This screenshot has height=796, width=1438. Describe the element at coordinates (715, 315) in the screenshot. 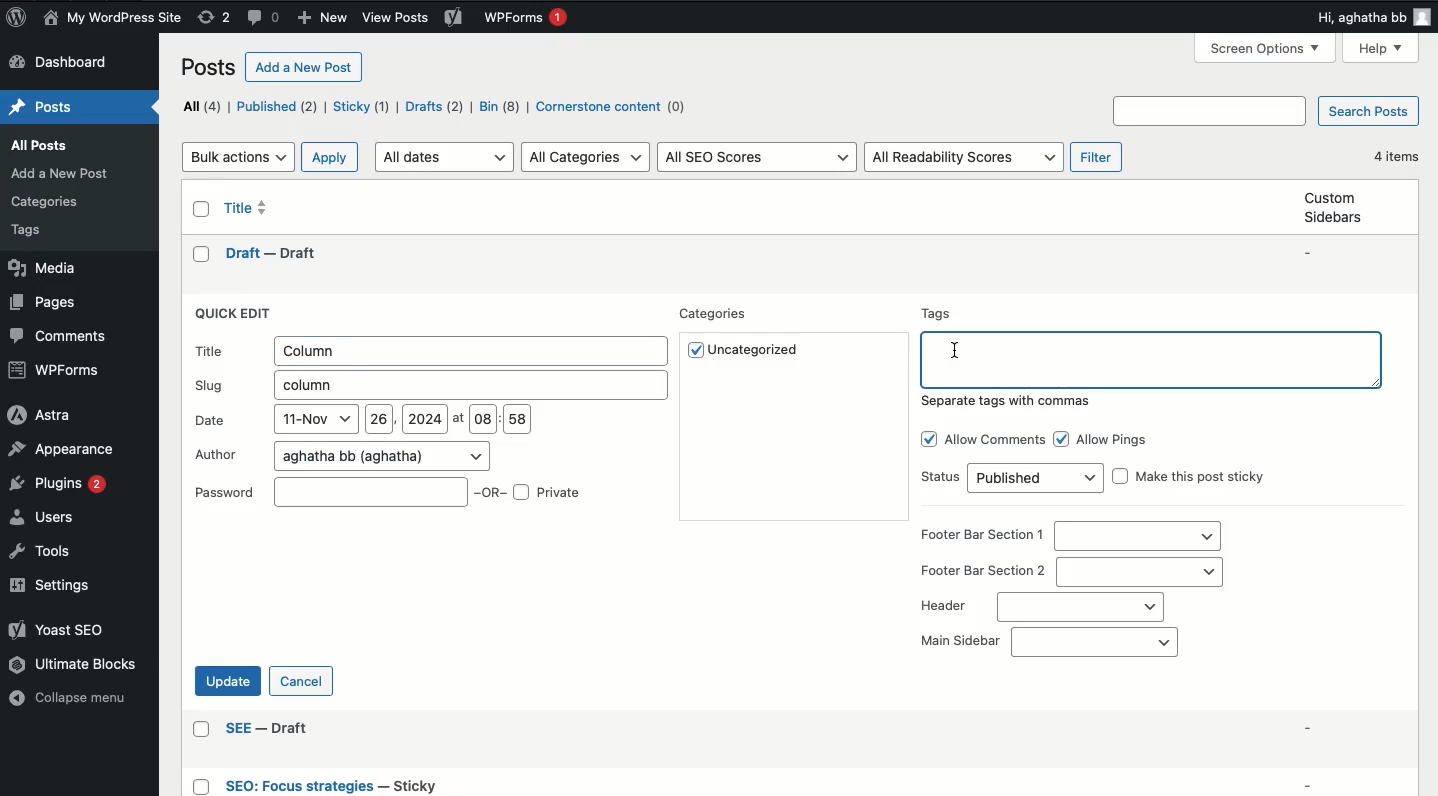

I see `Categories` at that location.